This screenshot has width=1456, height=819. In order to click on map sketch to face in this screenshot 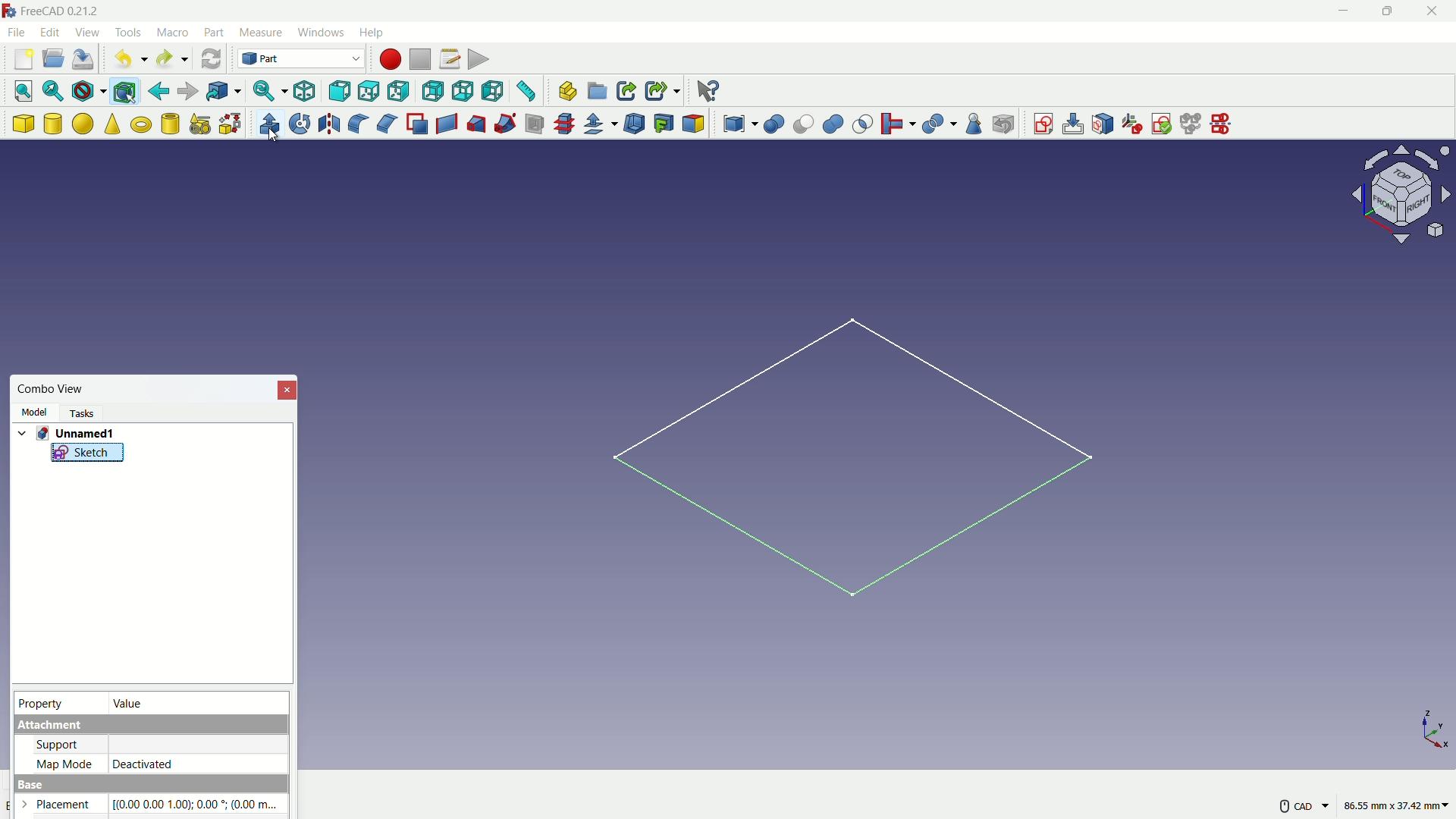, I will do `click(1102, 123)`.